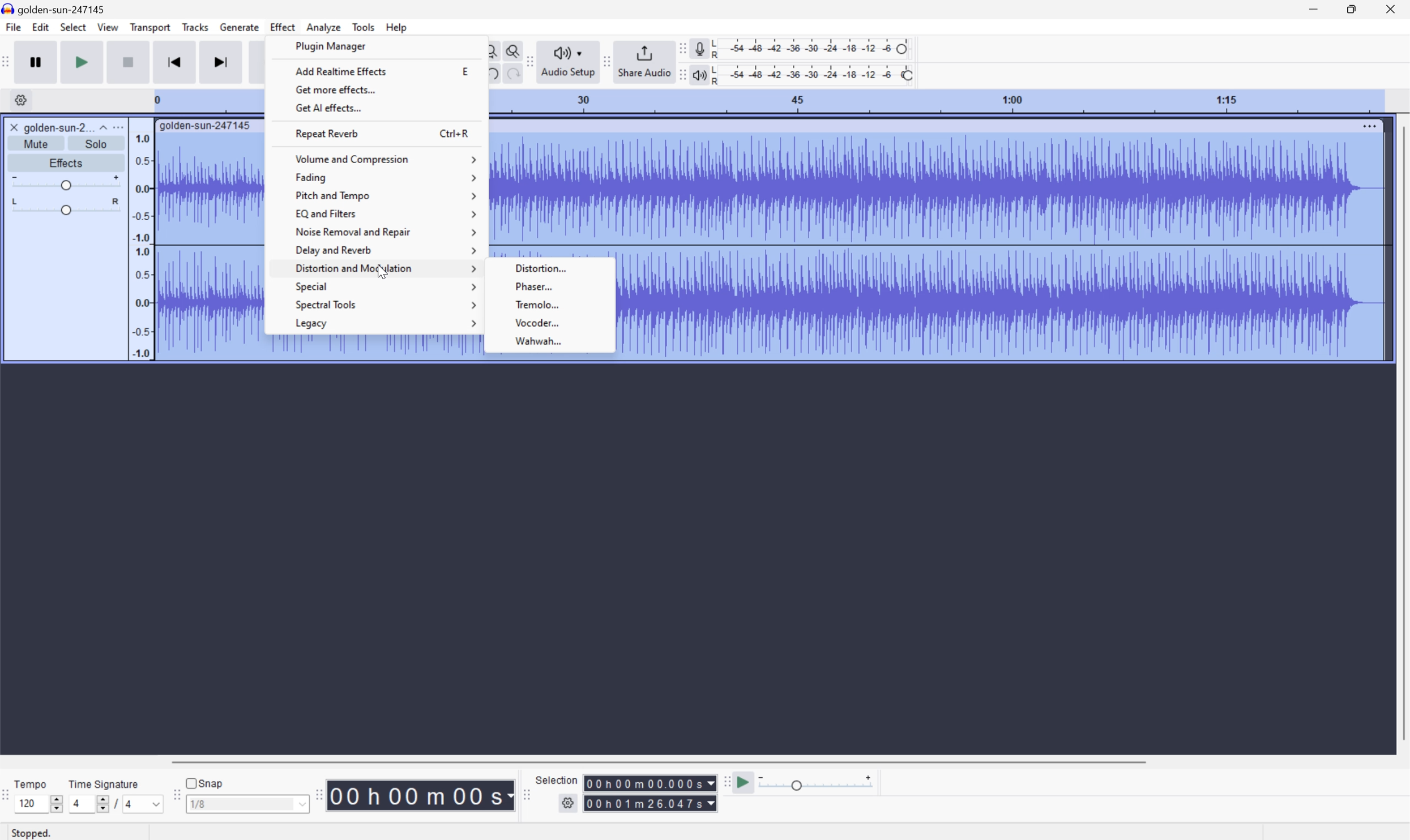 Image resolution: width=1410 pixels, height=840 pixels. Describe the element at coordinates (1401, 432) in the screenshot. I see `Scroll Bar` at that location.